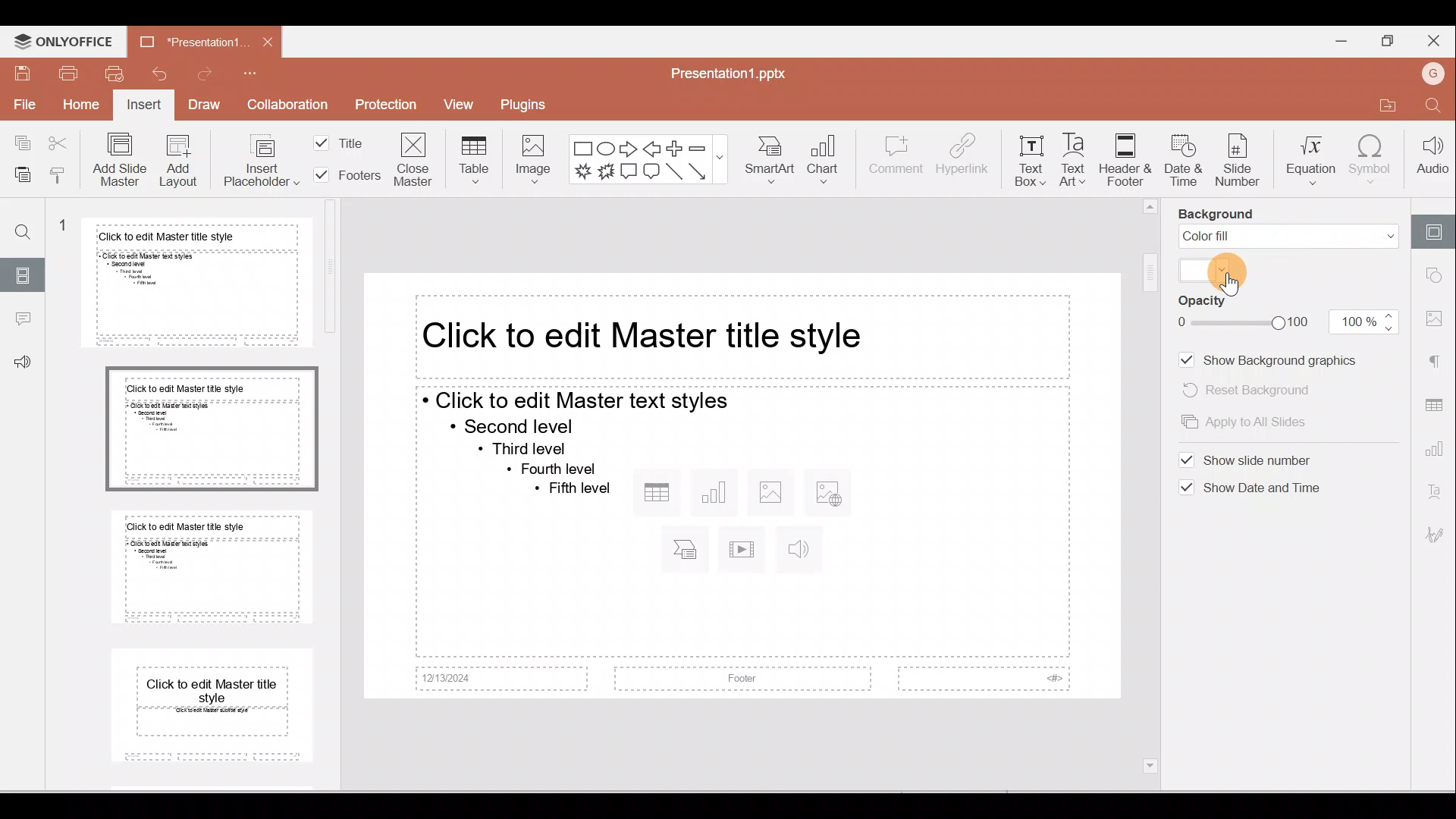 The width and height of the screenshot is (1456, 819). Describe the element at coordinates (673, 171) in the screenshot. I see `Line` at that location.